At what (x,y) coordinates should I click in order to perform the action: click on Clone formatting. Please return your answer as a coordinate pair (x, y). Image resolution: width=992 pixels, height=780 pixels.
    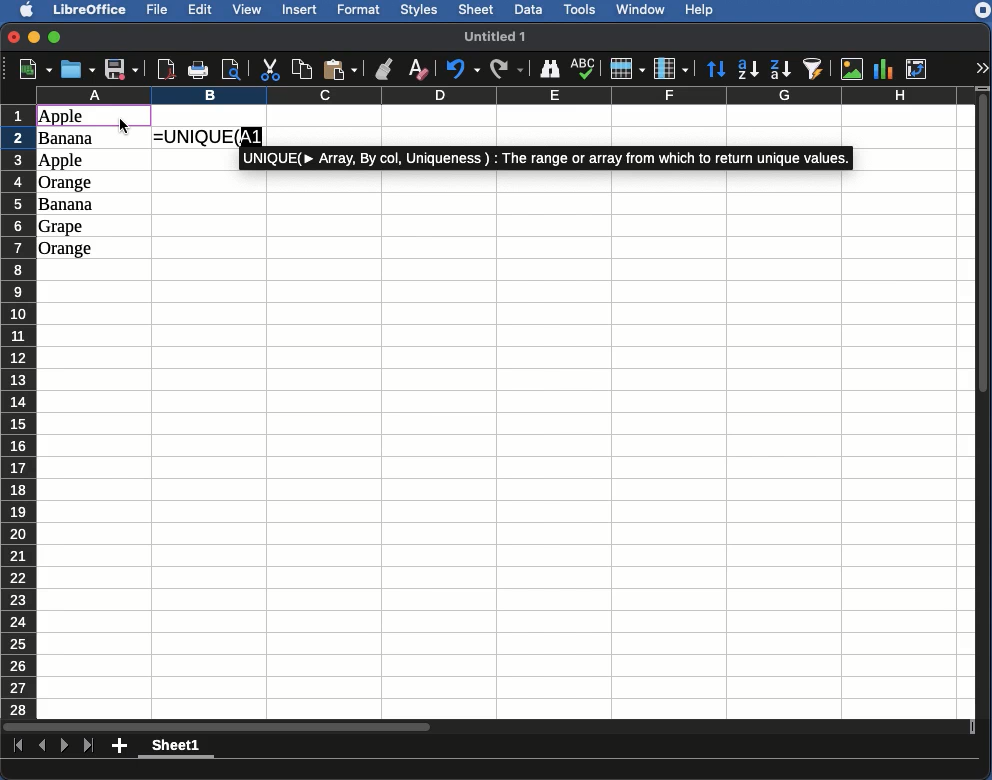
    Looking at the image, I should click on (384, 69).